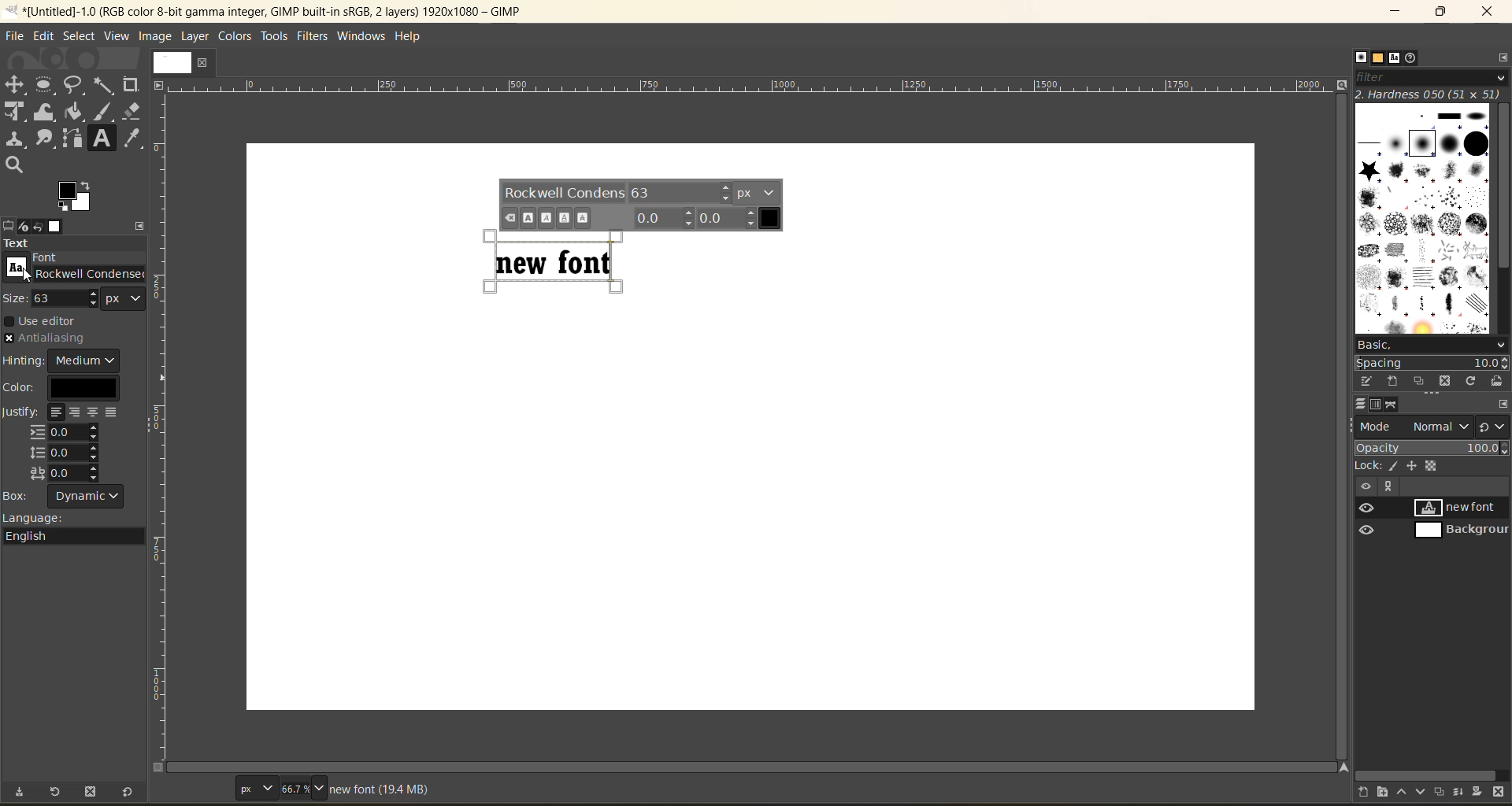 This screenshot has height=806, width=1512. I want to click on maximize, so click(1440, 14).